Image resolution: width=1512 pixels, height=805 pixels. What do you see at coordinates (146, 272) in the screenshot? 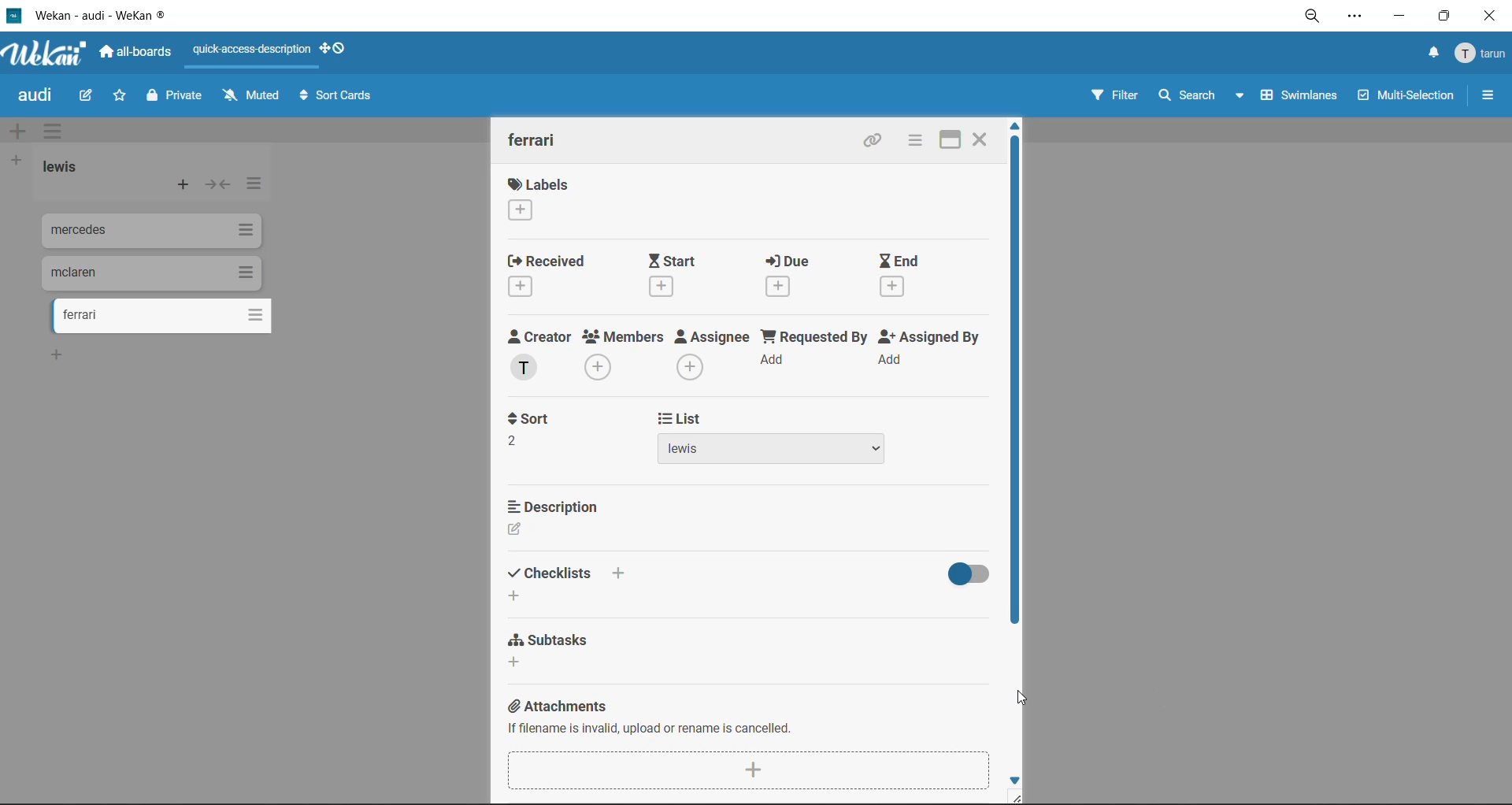
I see `cards` at bounding box center [146, 272].